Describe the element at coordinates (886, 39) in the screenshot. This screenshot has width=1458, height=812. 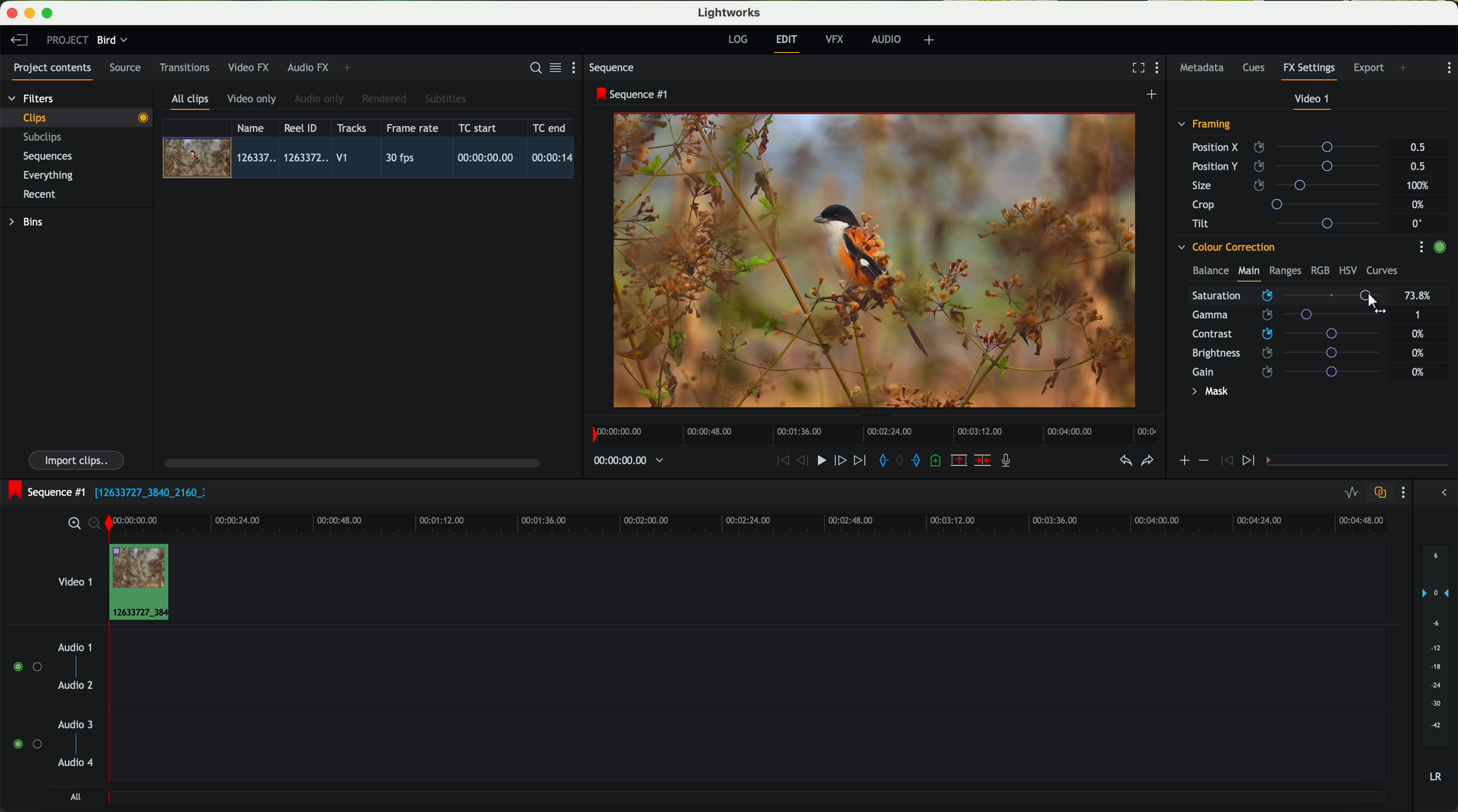
I see `audio` at that location.